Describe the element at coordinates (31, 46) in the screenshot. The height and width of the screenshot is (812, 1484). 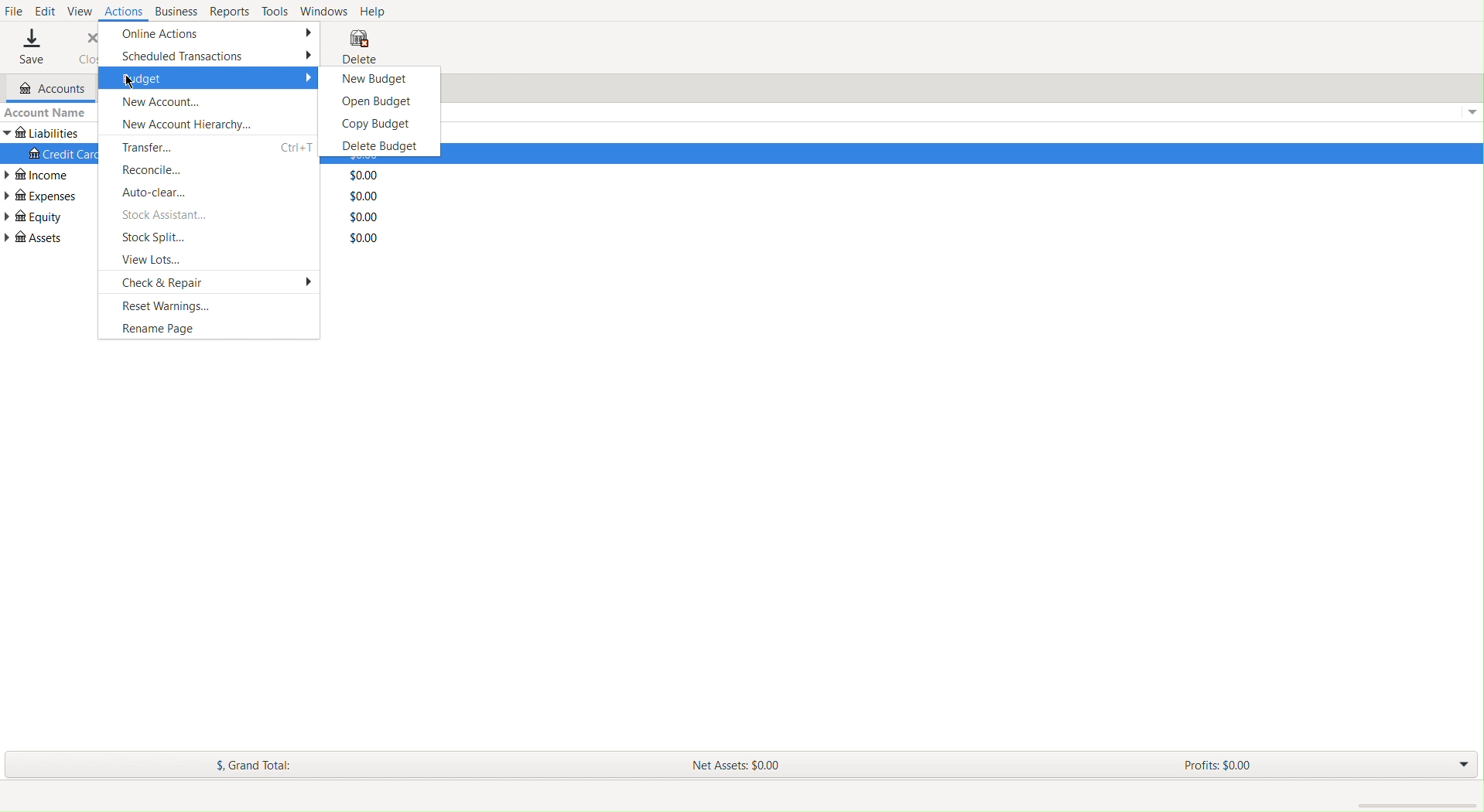
I see `Save` at that location.